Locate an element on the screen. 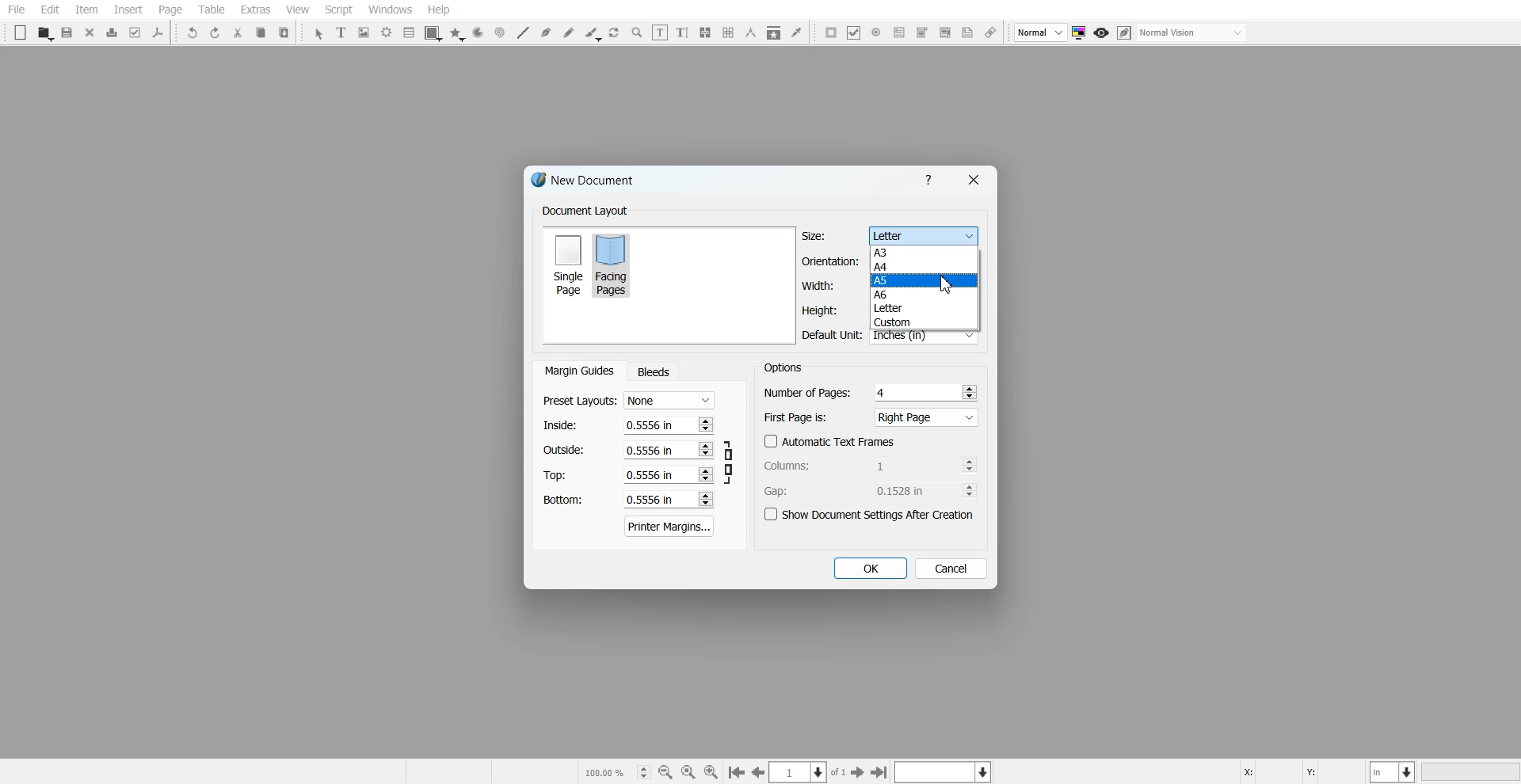 This screenshot has width=1521, height=784. Bleeds is located at coordinates (653, 371).